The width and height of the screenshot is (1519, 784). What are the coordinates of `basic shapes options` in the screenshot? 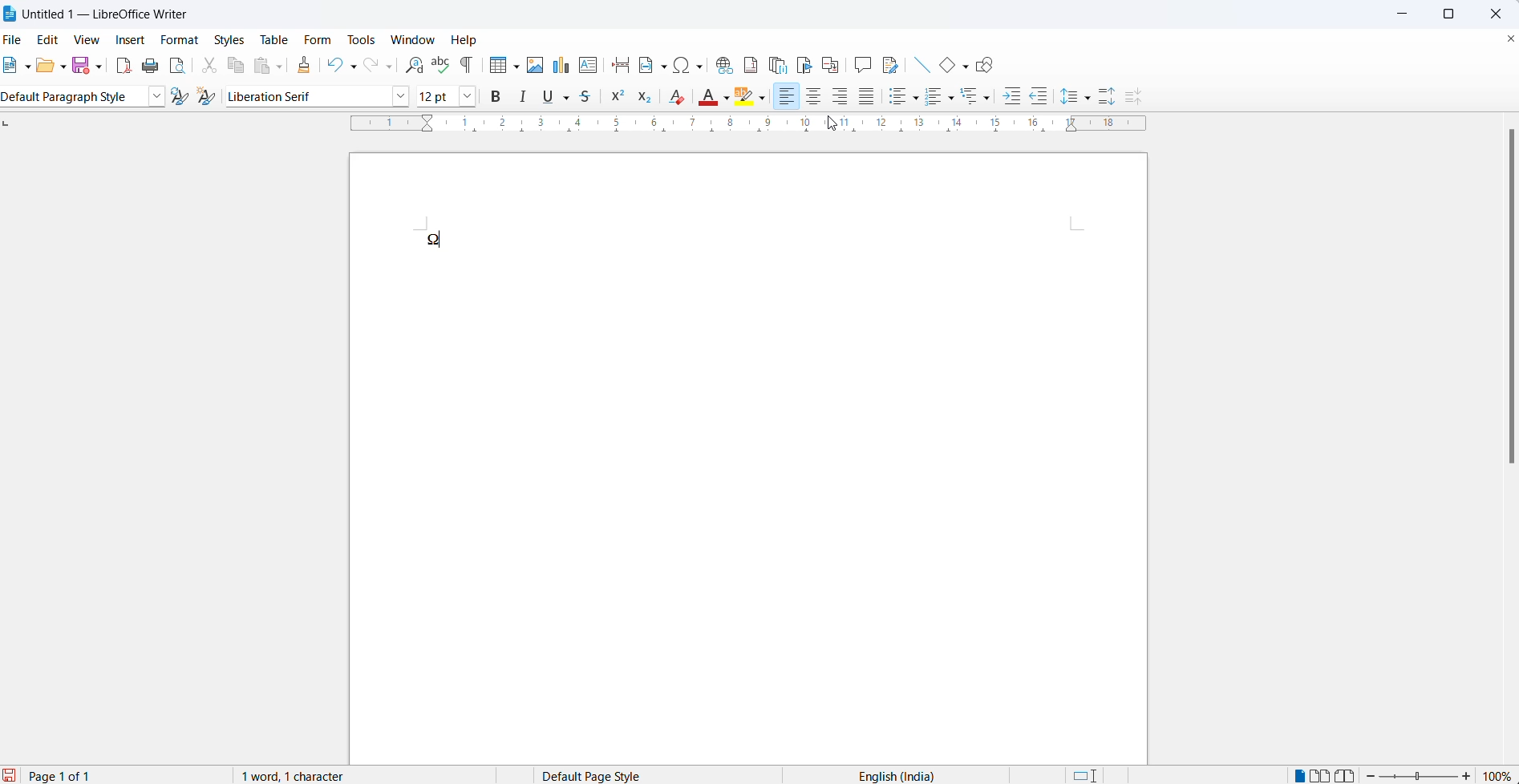 It's located at (967, 66).